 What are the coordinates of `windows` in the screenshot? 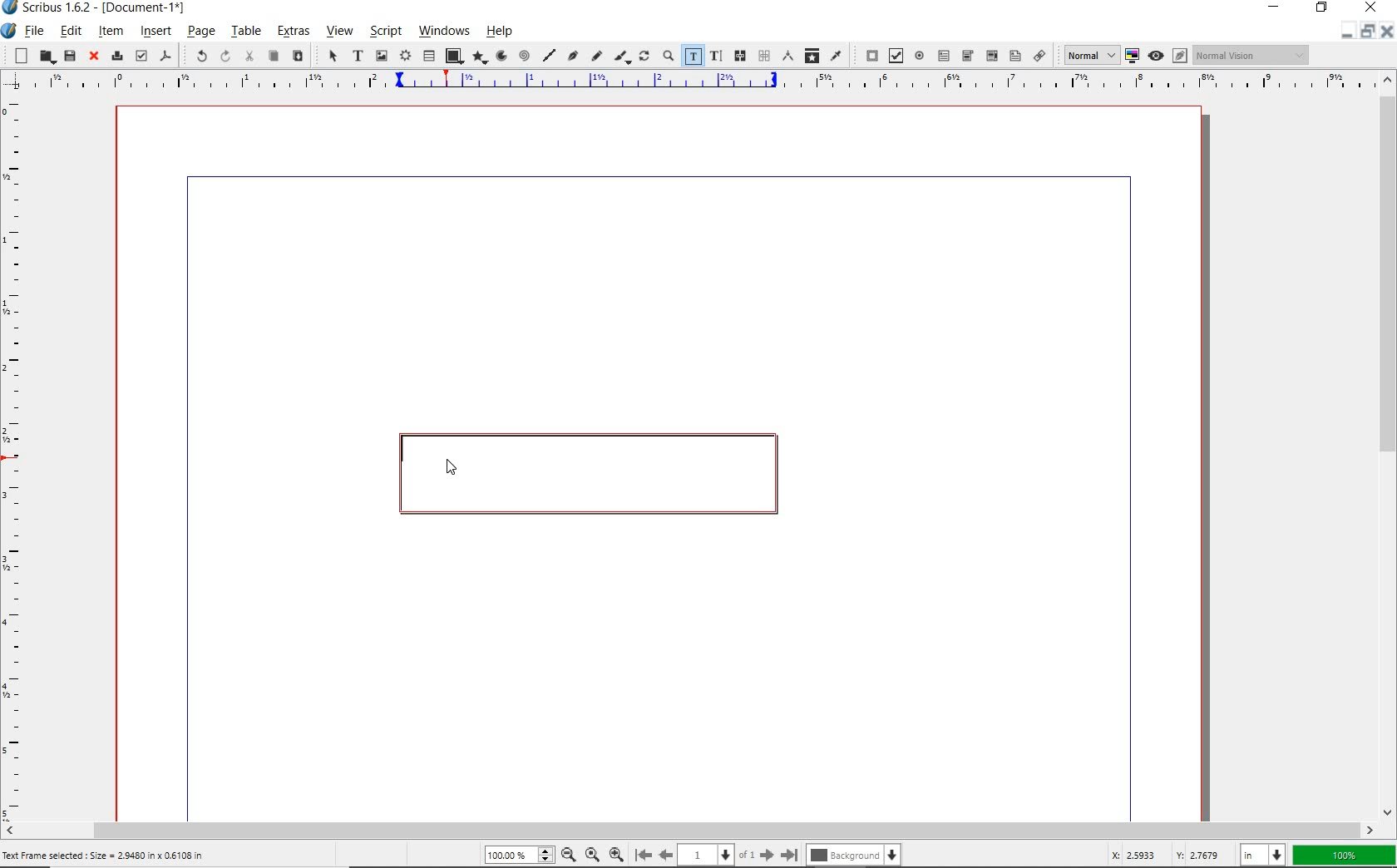 It's located at (445, 32).